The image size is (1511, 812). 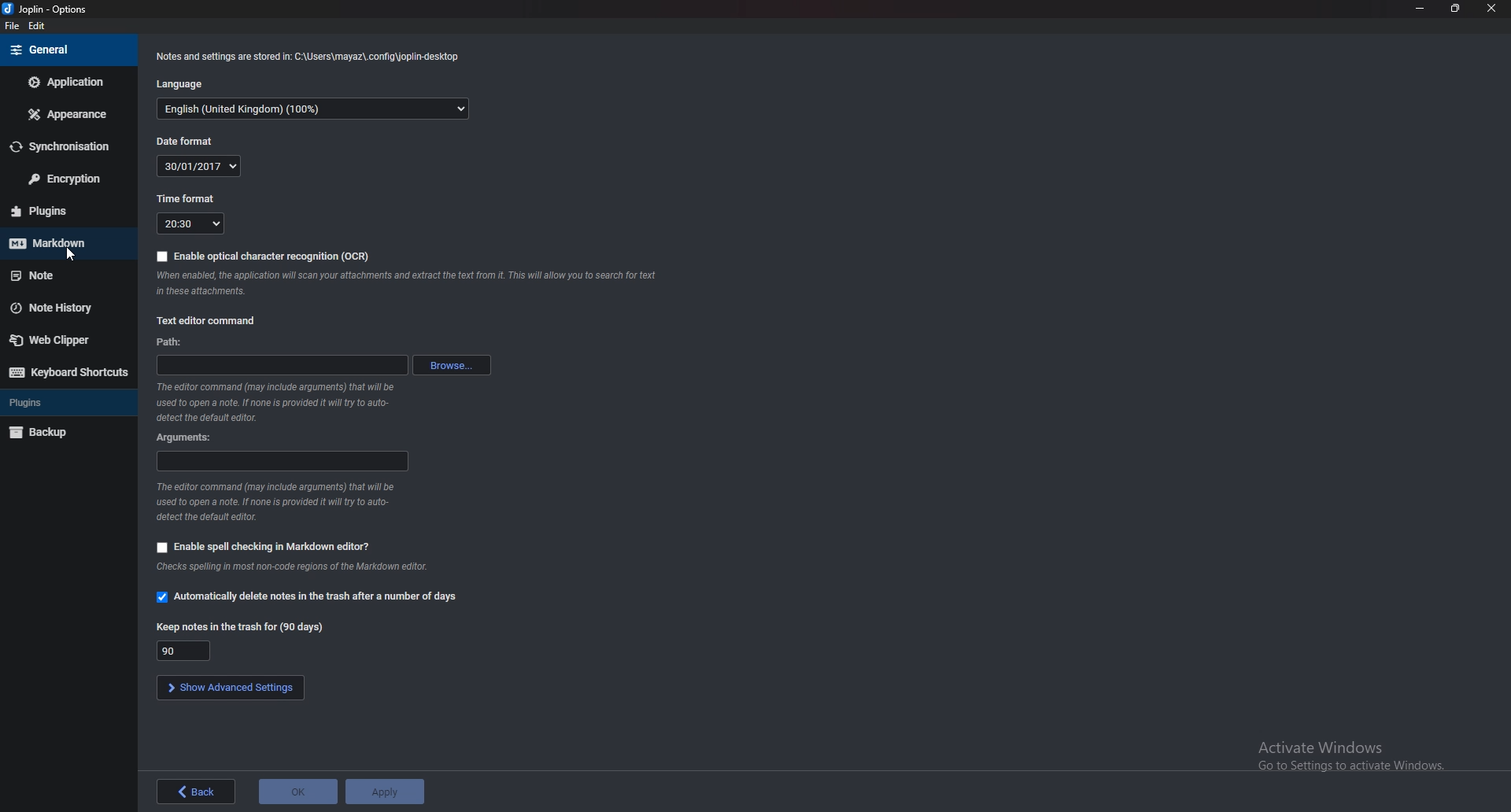 What do you see at coordinates (39, 28) in the screenshot?
I see `edit` at bounding box center [39, 28].